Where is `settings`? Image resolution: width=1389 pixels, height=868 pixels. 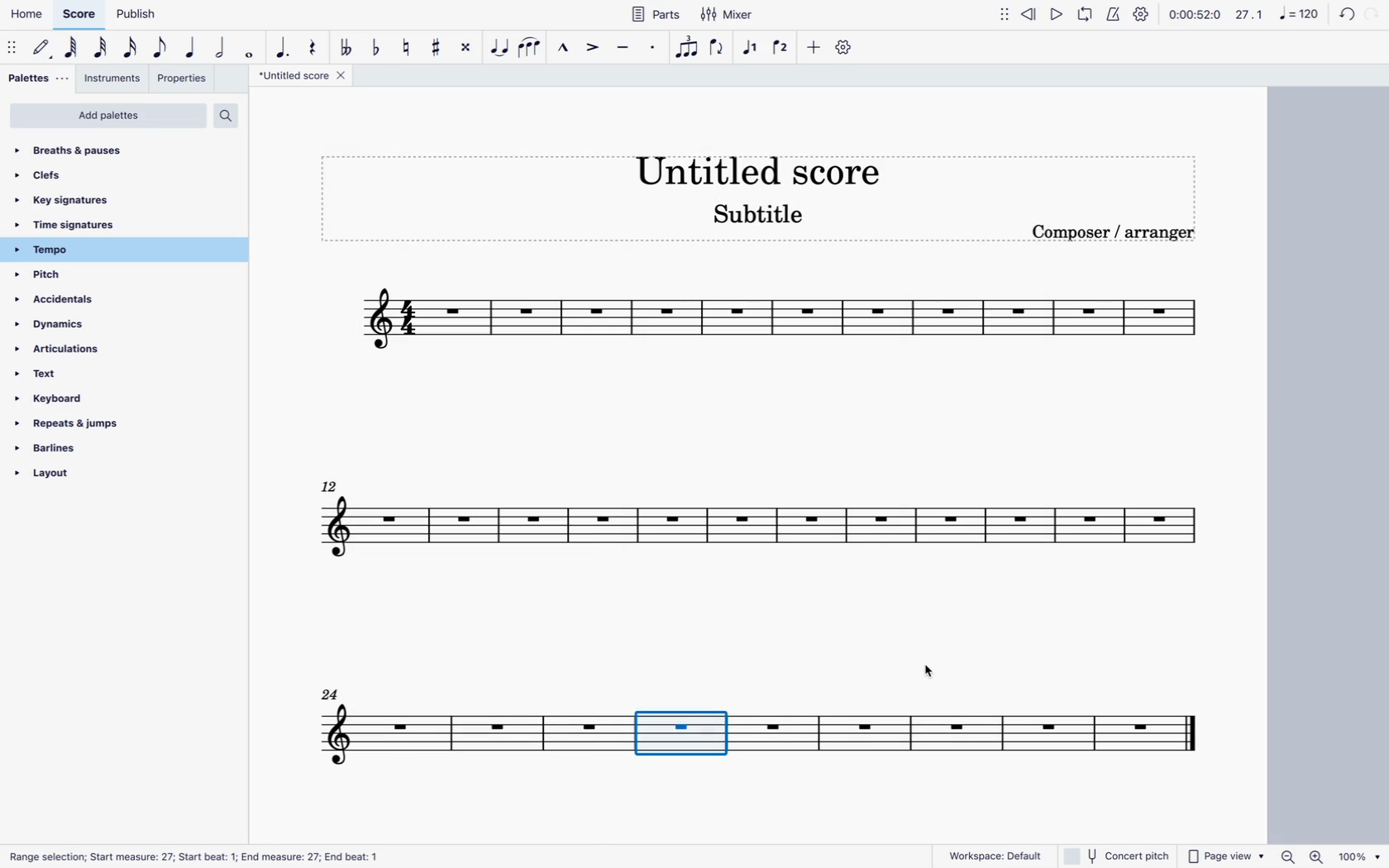 settings is located at coordinates (846, 49).